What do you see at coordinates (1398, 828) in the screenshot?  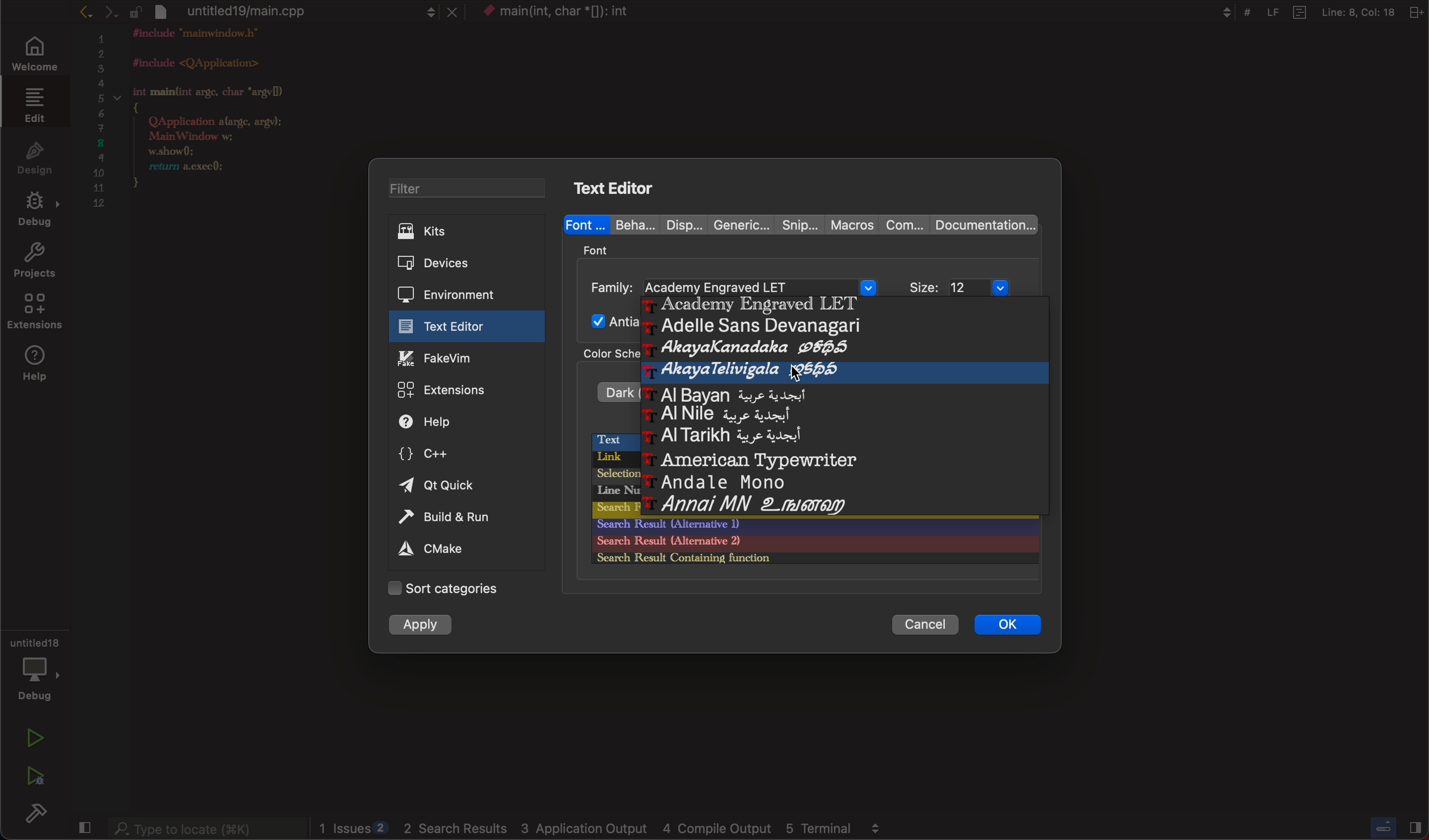 I see `close sidebar` at bounding box center [1398, 828].